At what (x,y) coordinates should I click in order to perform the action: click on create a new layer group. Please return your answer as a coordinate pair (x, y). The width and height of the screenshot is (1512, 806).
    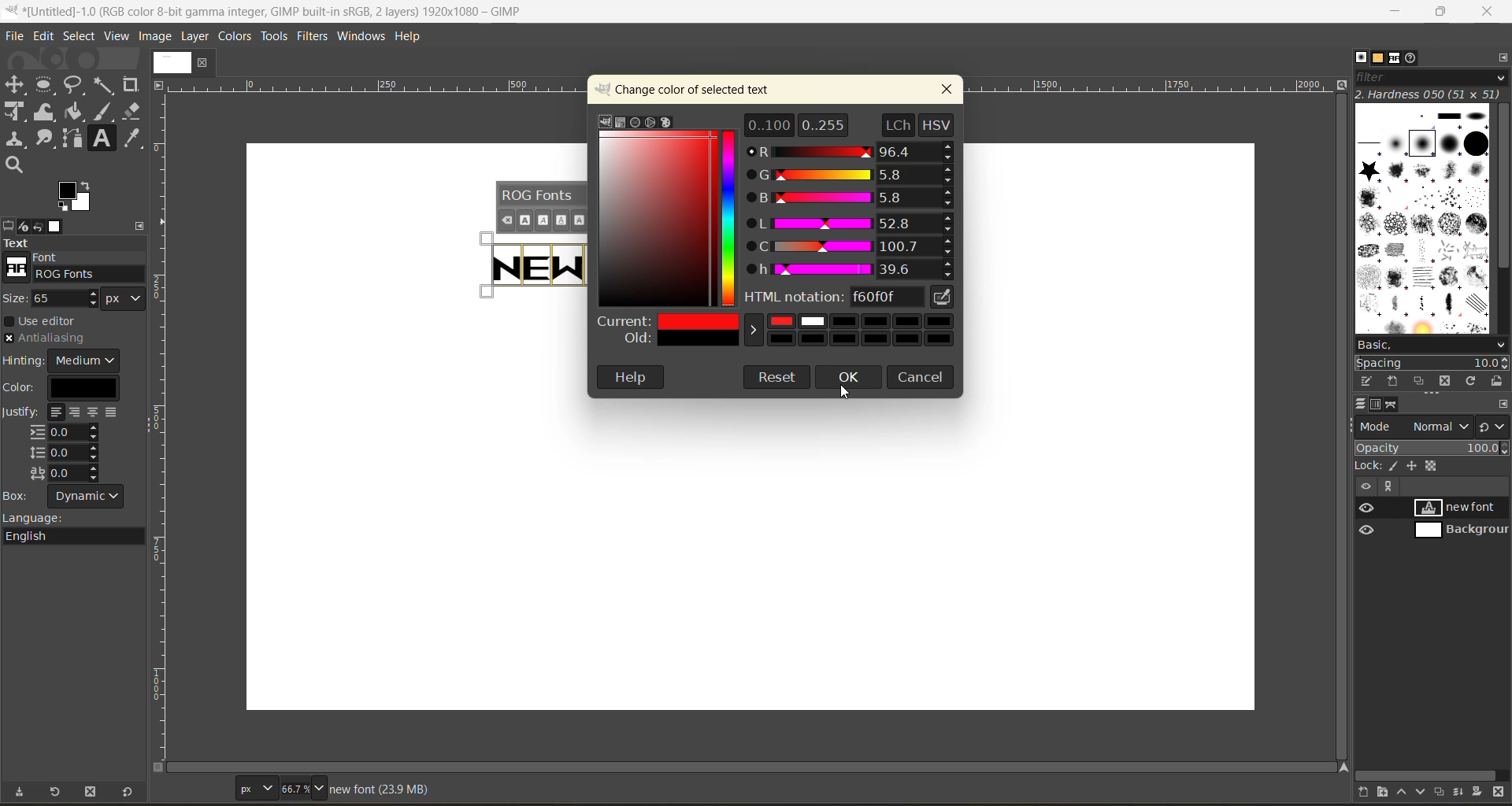
    Looking at the image, I should click on (1388, 790).